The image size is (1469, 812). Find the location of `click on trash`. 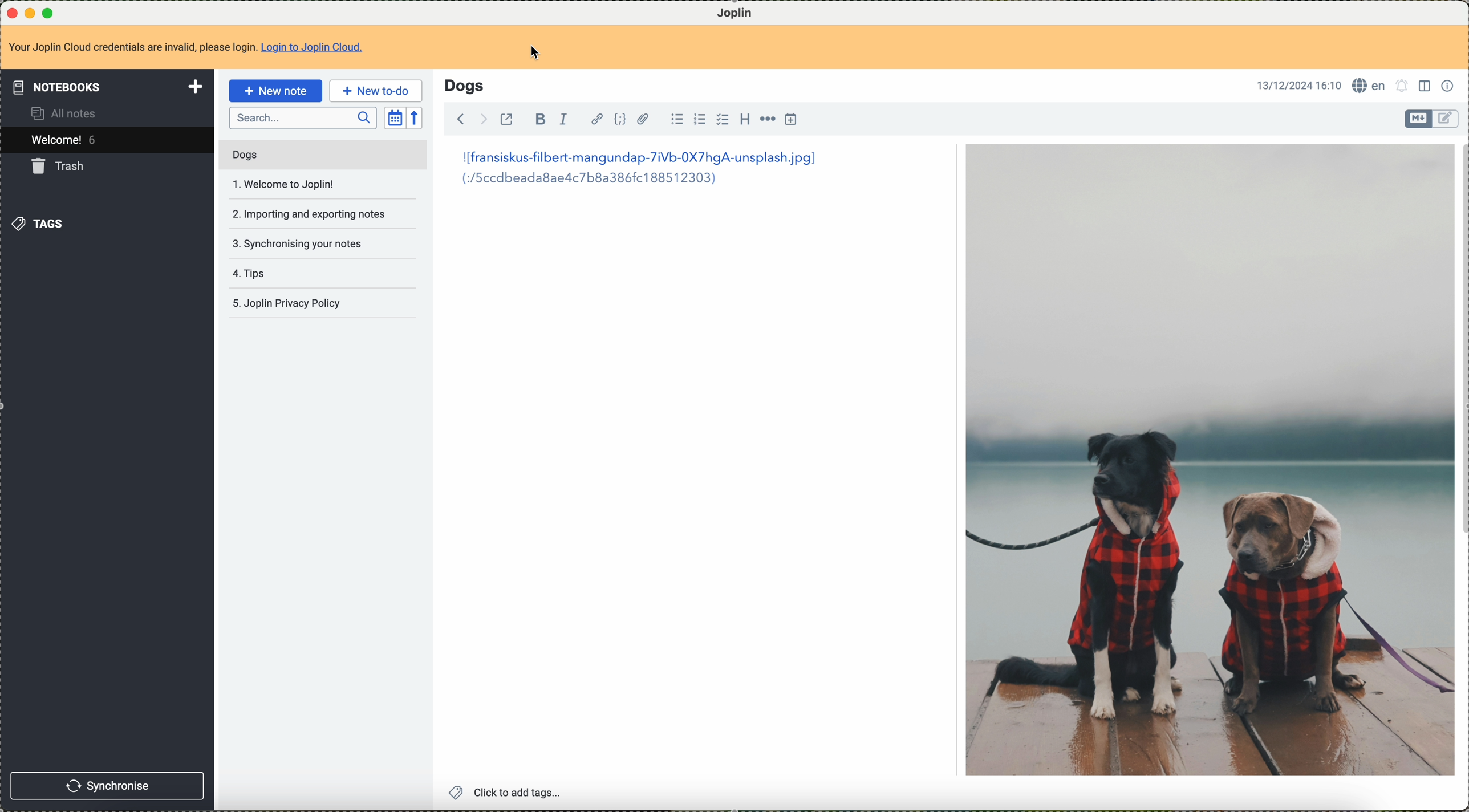

click on trash is located at coordinates (89, 170).